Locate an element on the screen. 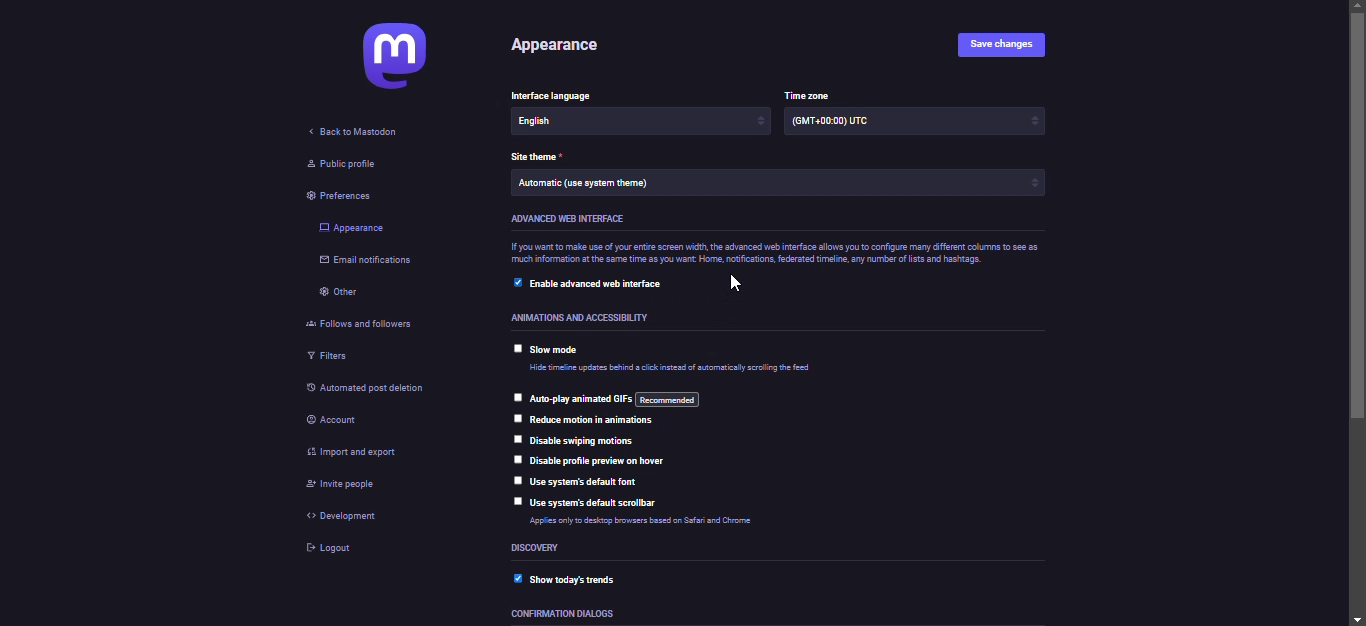 The width and height of the screenshot is (1366, 626). increase/decrease arrows is located at coordinates (760, 122).